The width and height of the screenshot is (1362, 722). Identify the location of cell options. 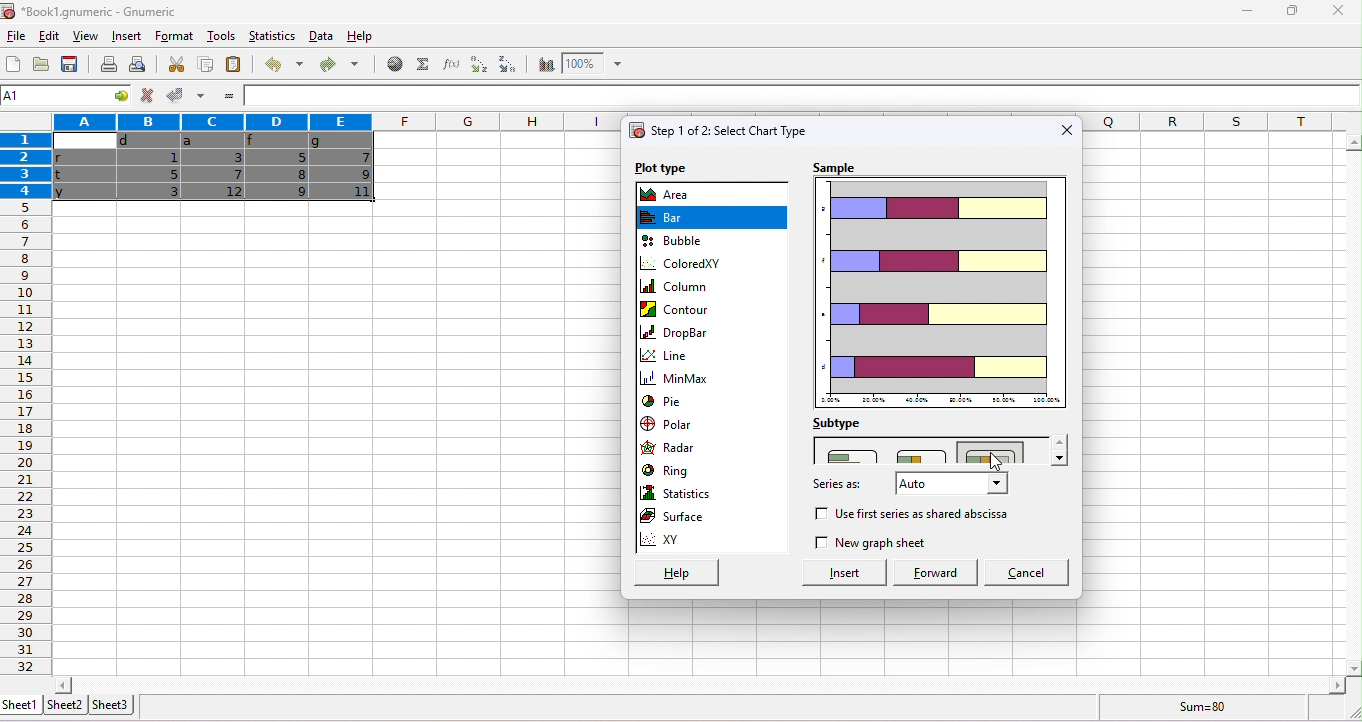
(117, 96).